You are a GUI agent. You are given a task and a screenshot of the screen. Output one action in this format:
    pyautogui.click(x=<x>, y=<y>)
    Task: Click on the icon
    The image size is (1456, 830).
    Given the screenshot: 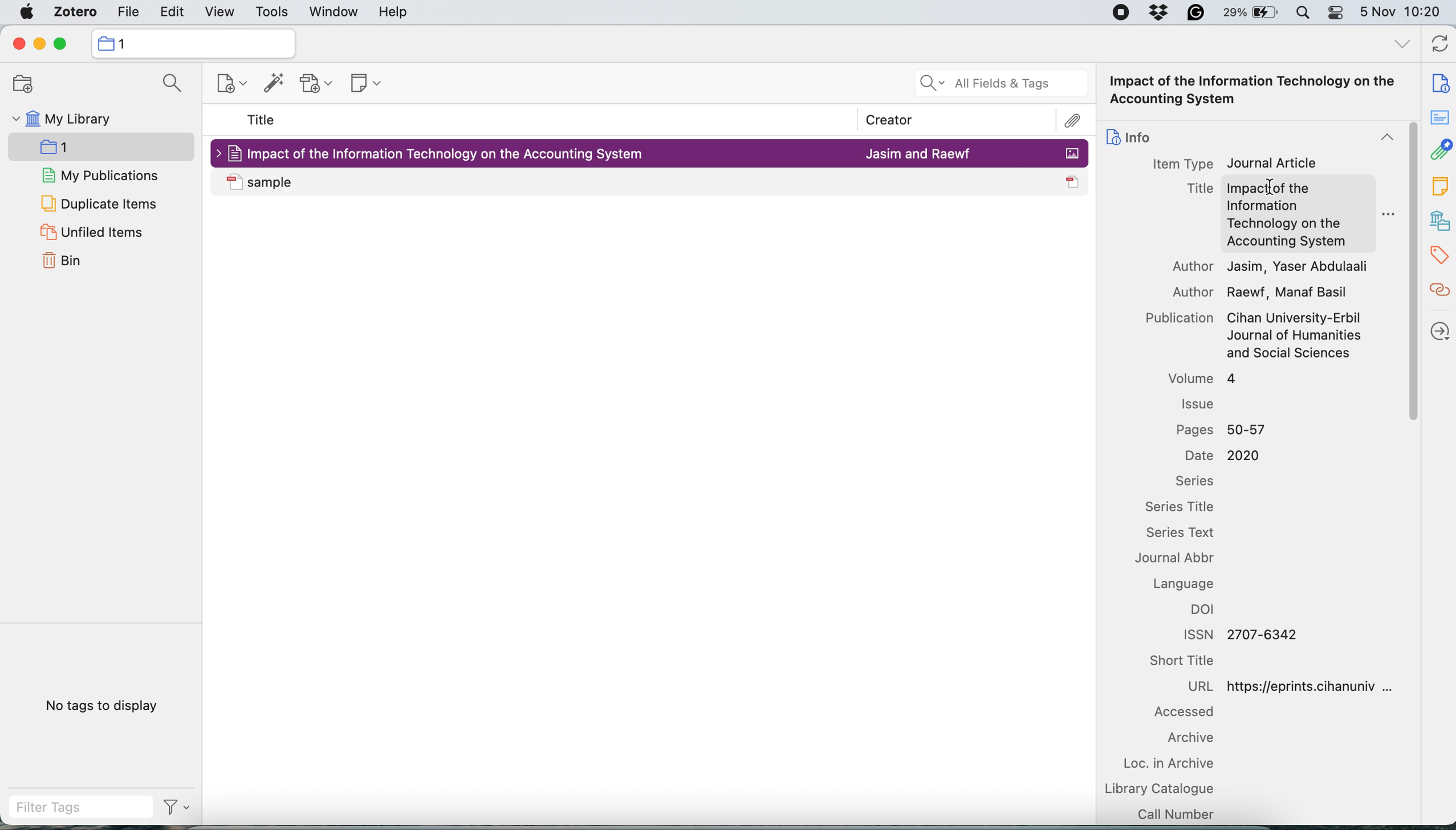 What is the action you would take?
    pyautogui.click(x=1073, y=181)
    